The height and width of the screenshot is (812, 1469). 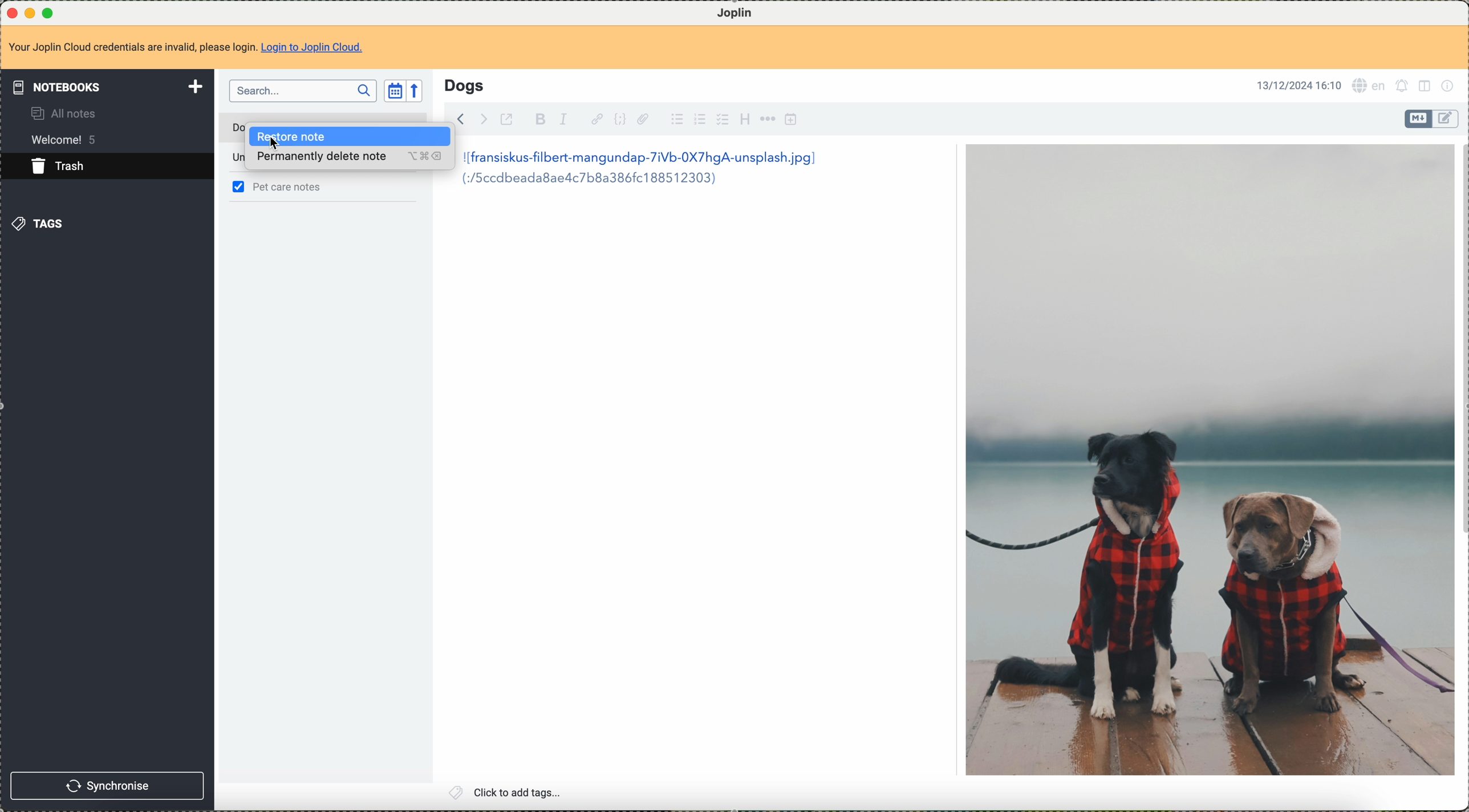 What do you see at coordinates (302, 92) in the screenshot?
I see `search bar` at bounding box center [302, 92].